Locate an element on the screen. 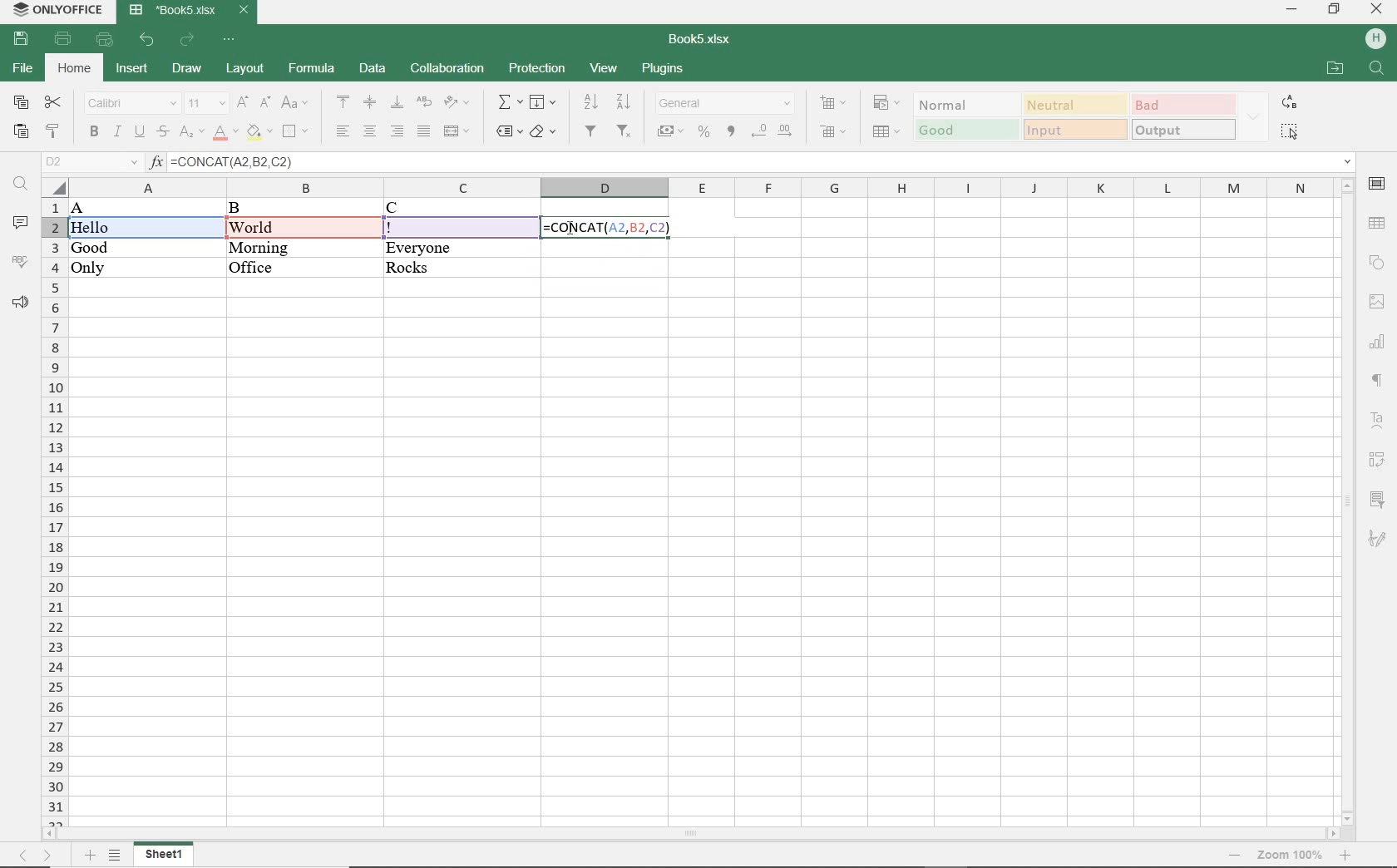 The image size is (1397, 868). NAMED RANGES is located at coordinates (506, 131).